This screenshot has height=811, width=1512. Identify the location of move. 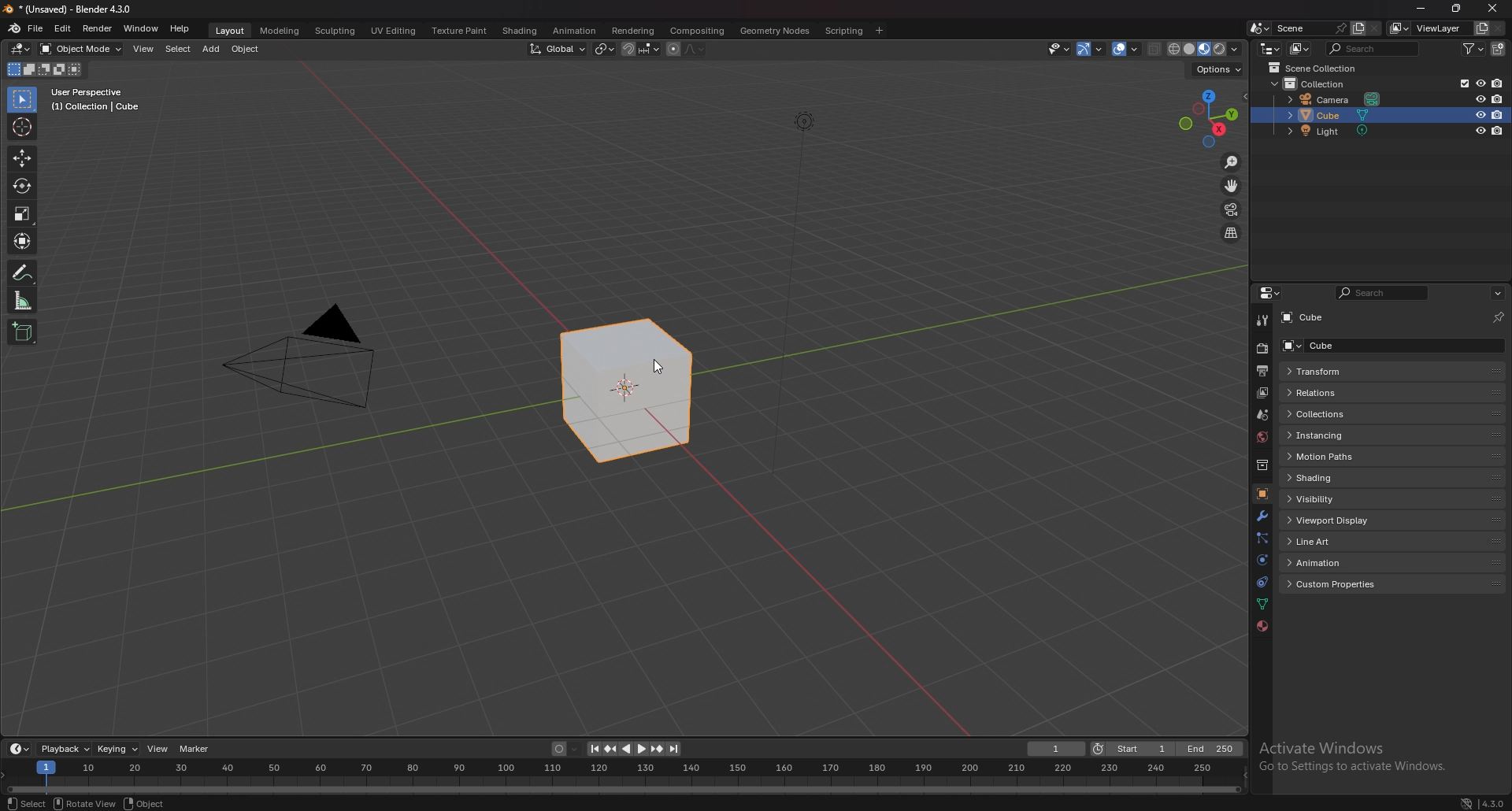
(1231, 187).